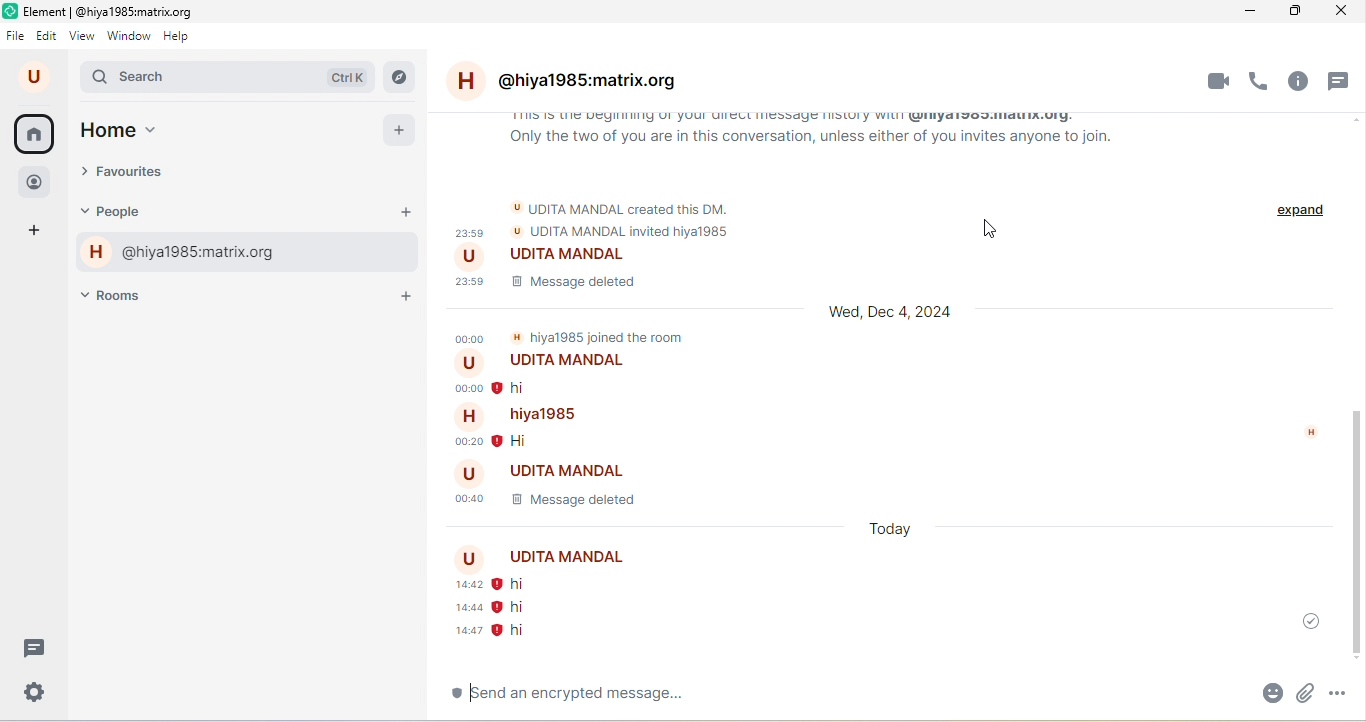 Image resolution: width=1366 pixels, height=722 pixels. I want to click on h, so click(1307, 432).